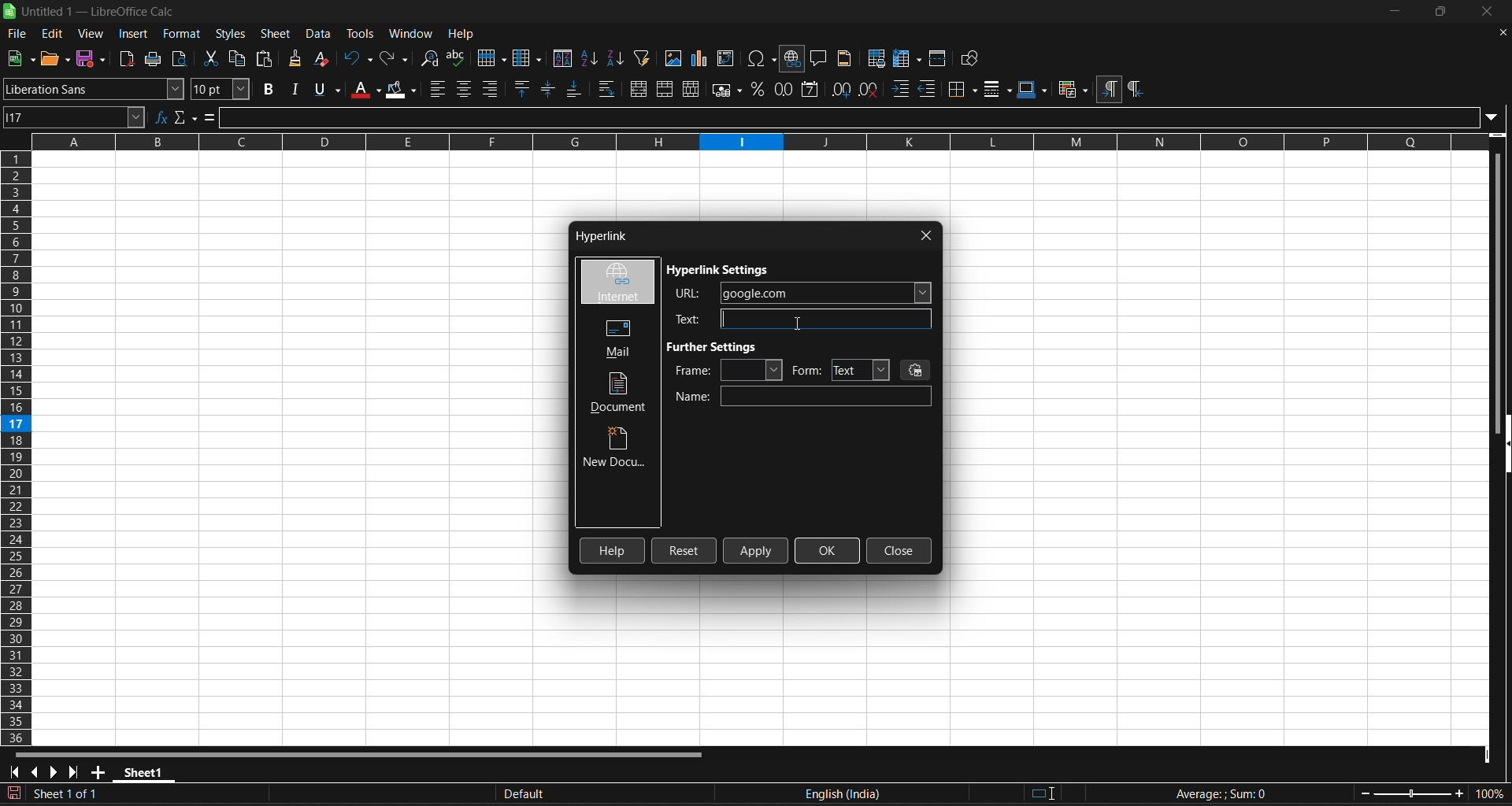 The image size is (1512, 806). What do you see at coordinates (321, 34) in the screenshot?
I see `data` at bounding box center [321, 34].